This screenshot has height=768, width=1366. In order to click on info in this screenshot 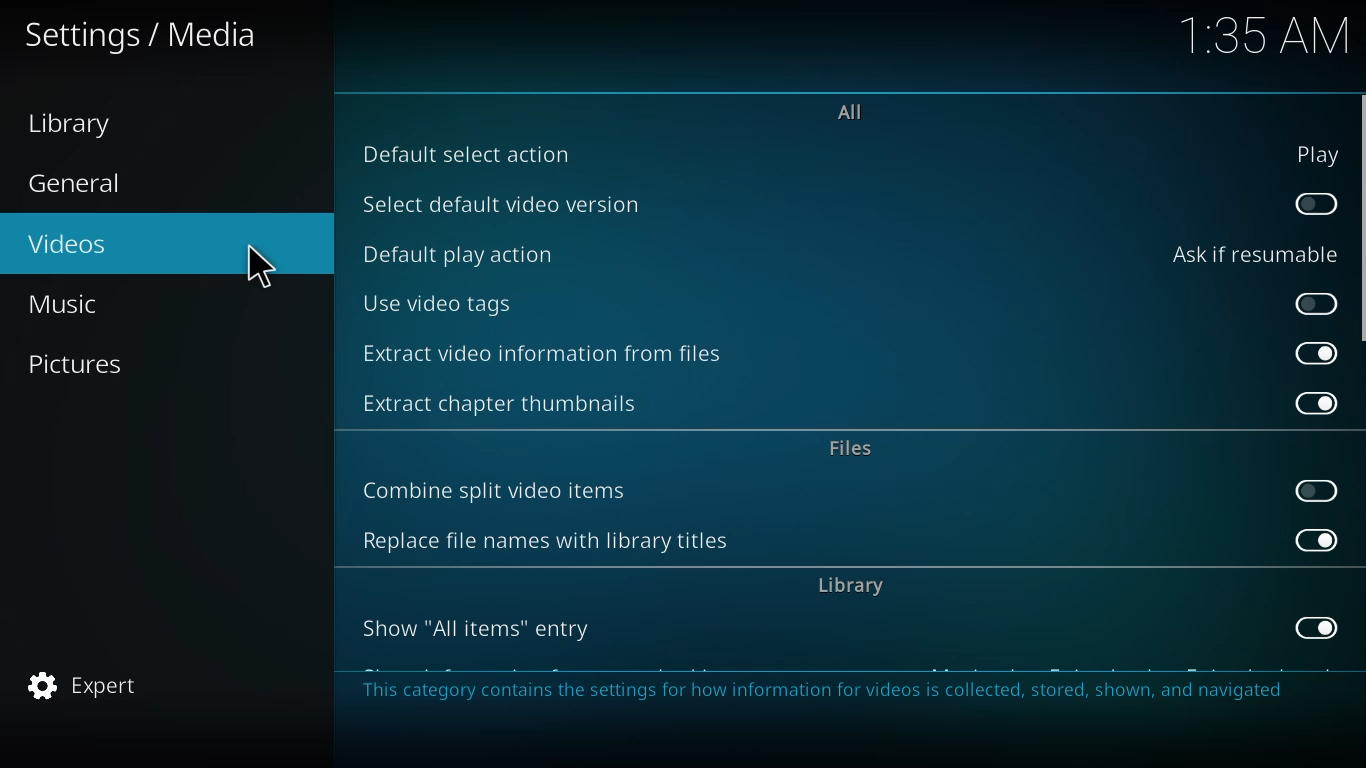, I will do `click(829, 691)`.